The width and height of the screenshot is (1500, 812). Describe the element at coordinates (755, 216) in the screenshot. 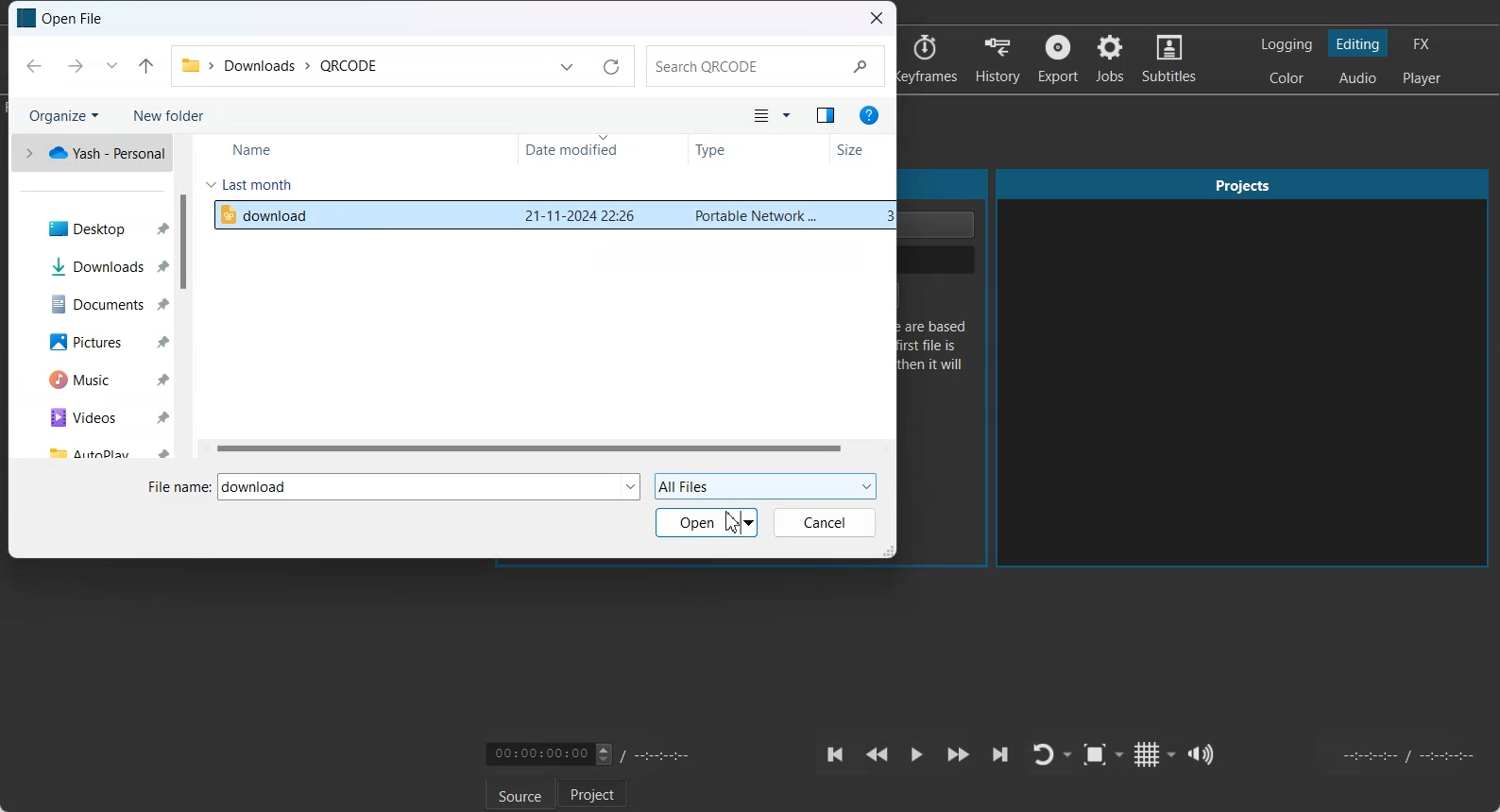

I see `type` at that location.